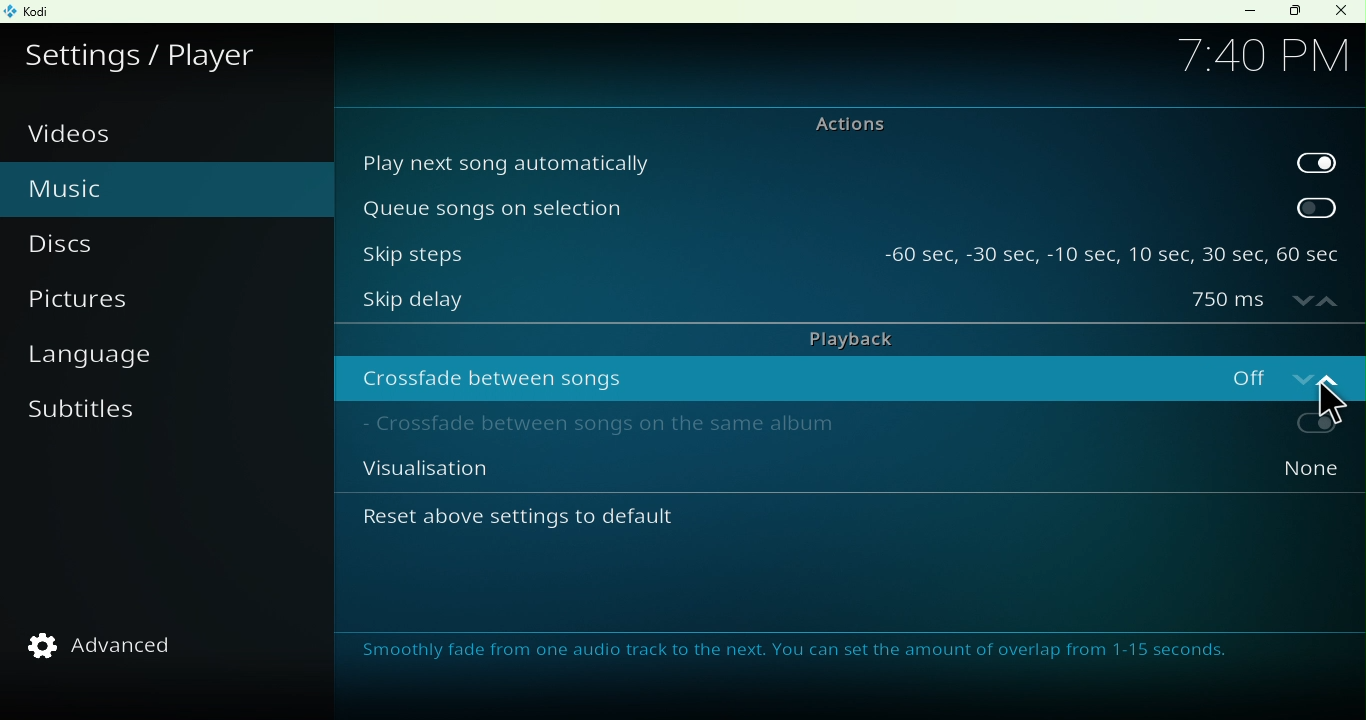 Image resolution: width=1366 pixels, height=720 pixels. Describe the element at coordinates (765, 377) in the screenshot. I see `Crossfade between songs` at that location.